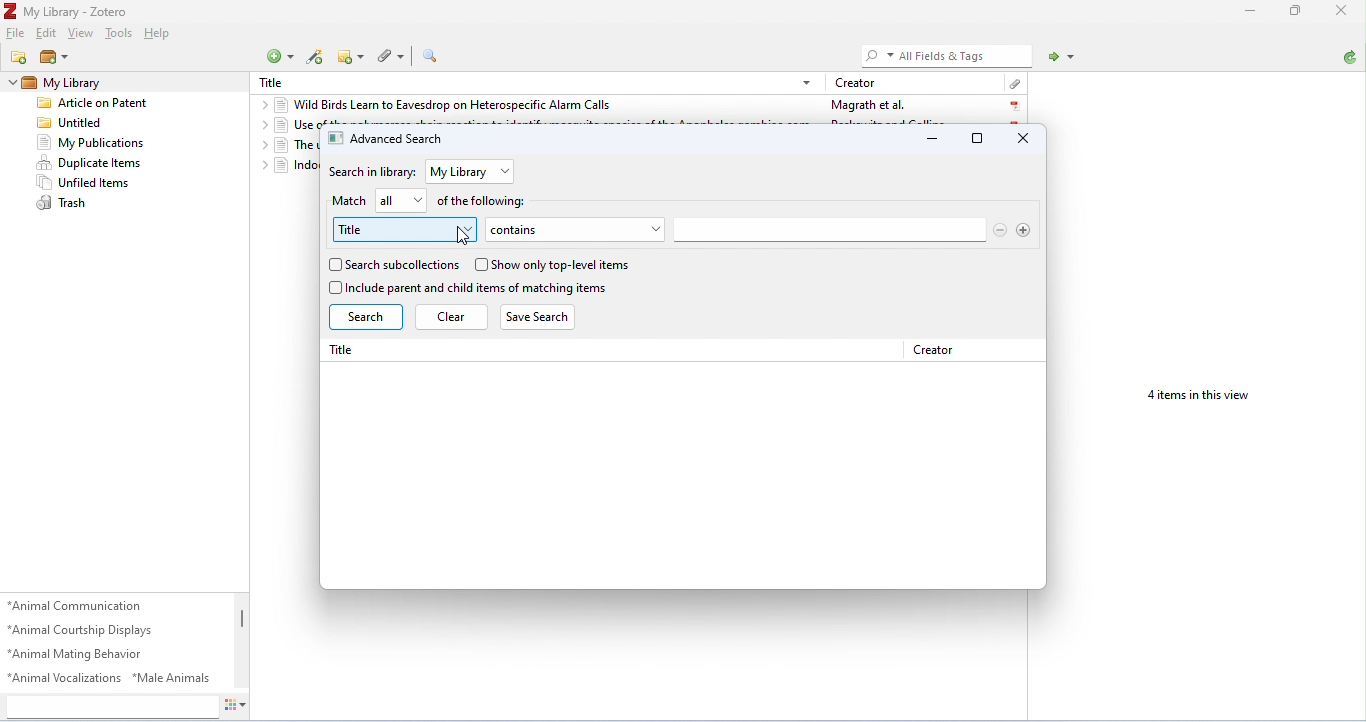 The width and height of the screenshot is (1366, 722). Describe the element at coordinates (90, 143) in the screenshot. I see `my publications` at that location.